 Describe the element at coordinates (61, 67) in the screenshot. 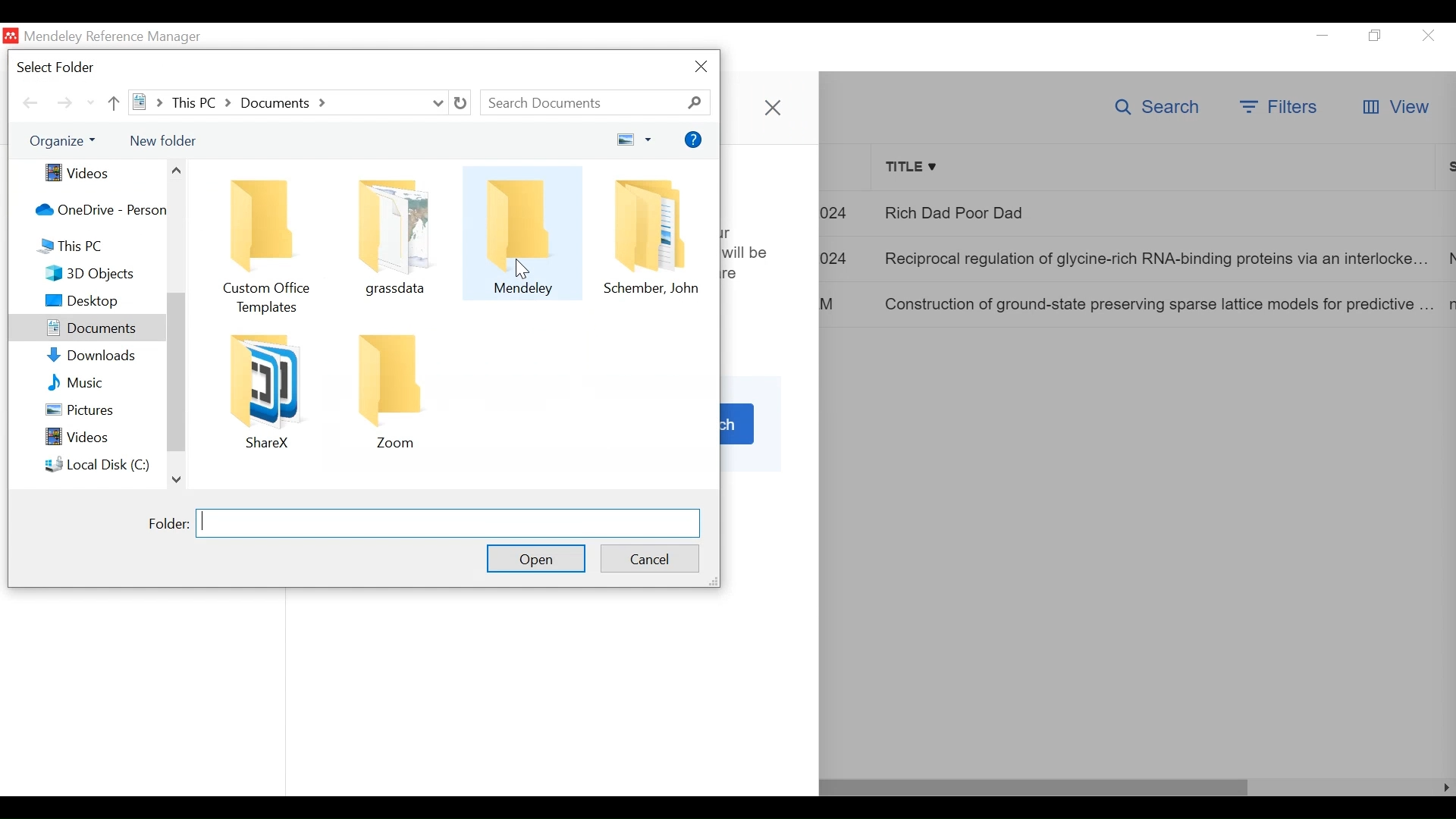

I see `Select Folder` at that location.